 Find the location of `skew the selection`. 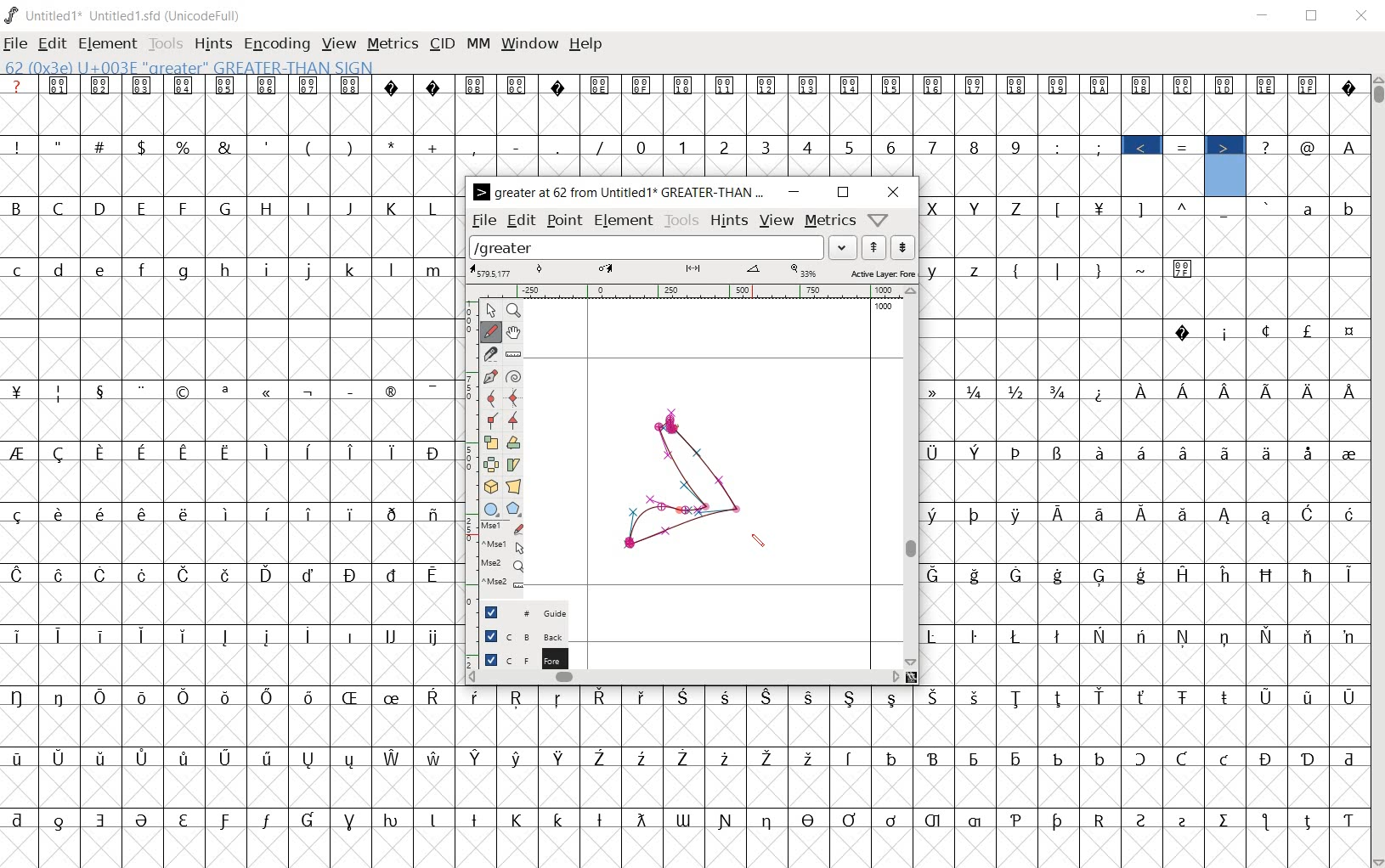

skew the selection is located at coordinates (513, 465).